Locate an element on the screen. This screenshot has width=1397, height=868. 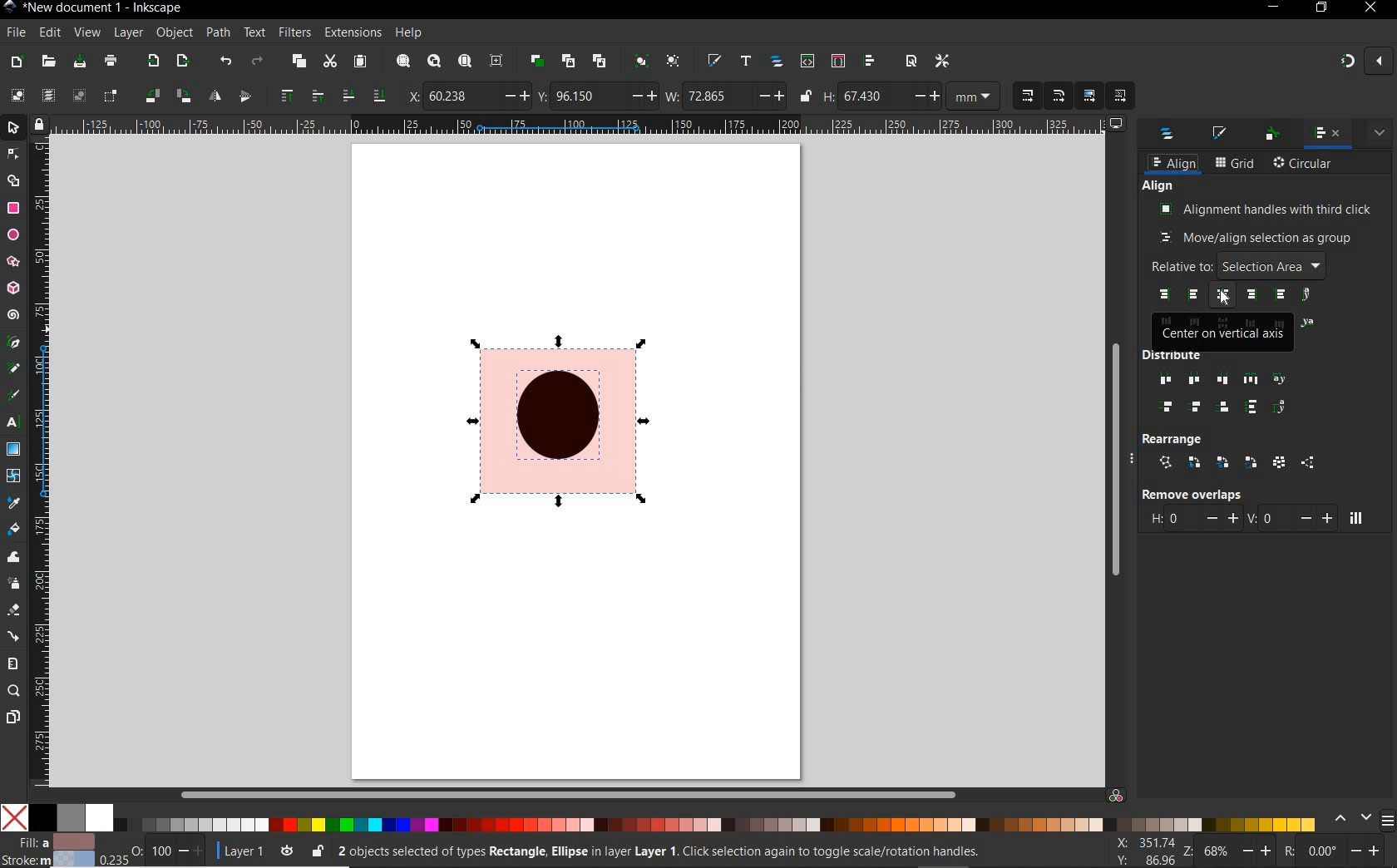
align is located at coordinates (1158, 186).